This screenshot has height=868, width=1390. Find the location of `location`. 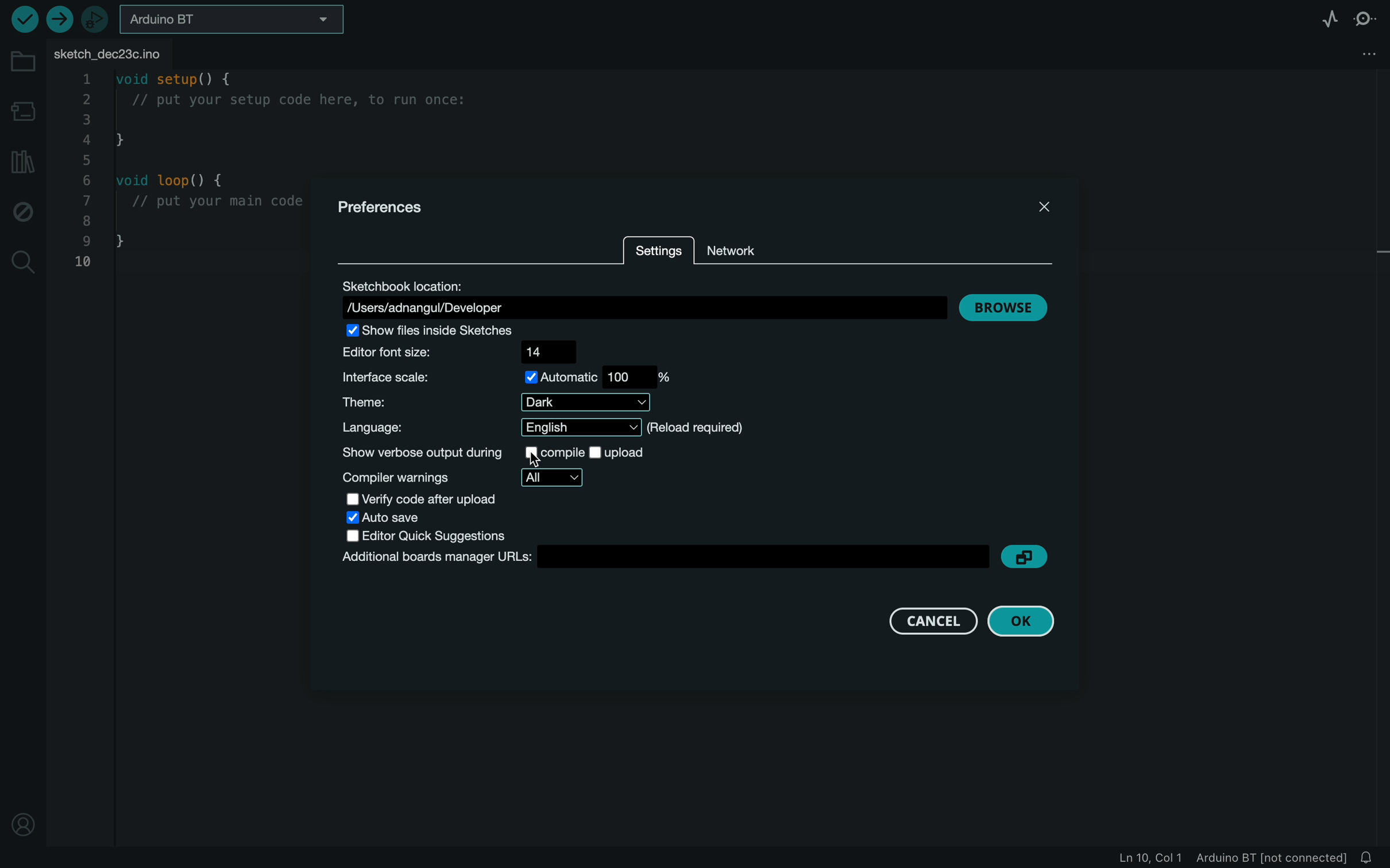

location is located at coordinates (642, 297).